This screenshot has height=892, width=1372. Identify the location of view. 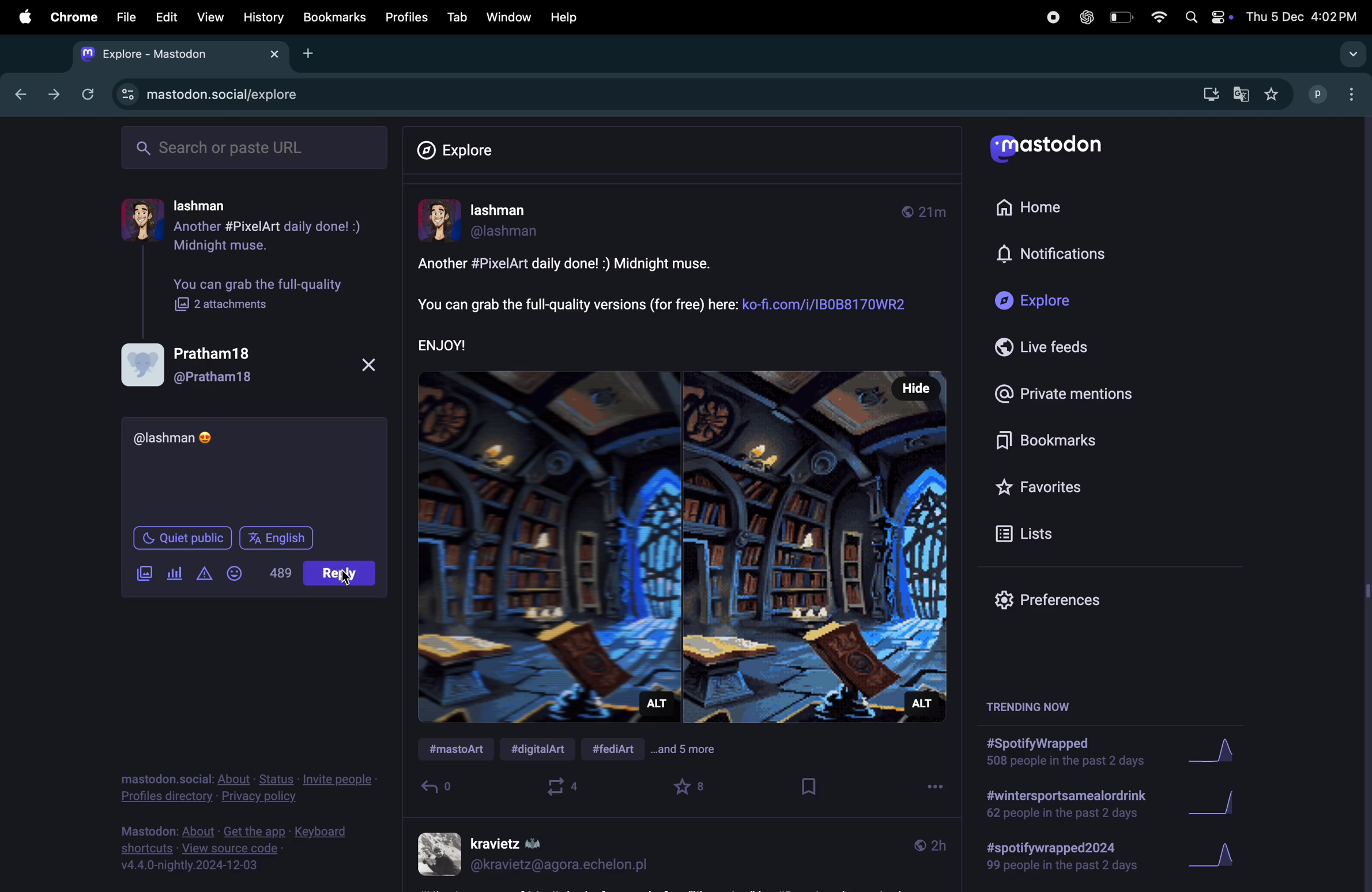
(209, 18).